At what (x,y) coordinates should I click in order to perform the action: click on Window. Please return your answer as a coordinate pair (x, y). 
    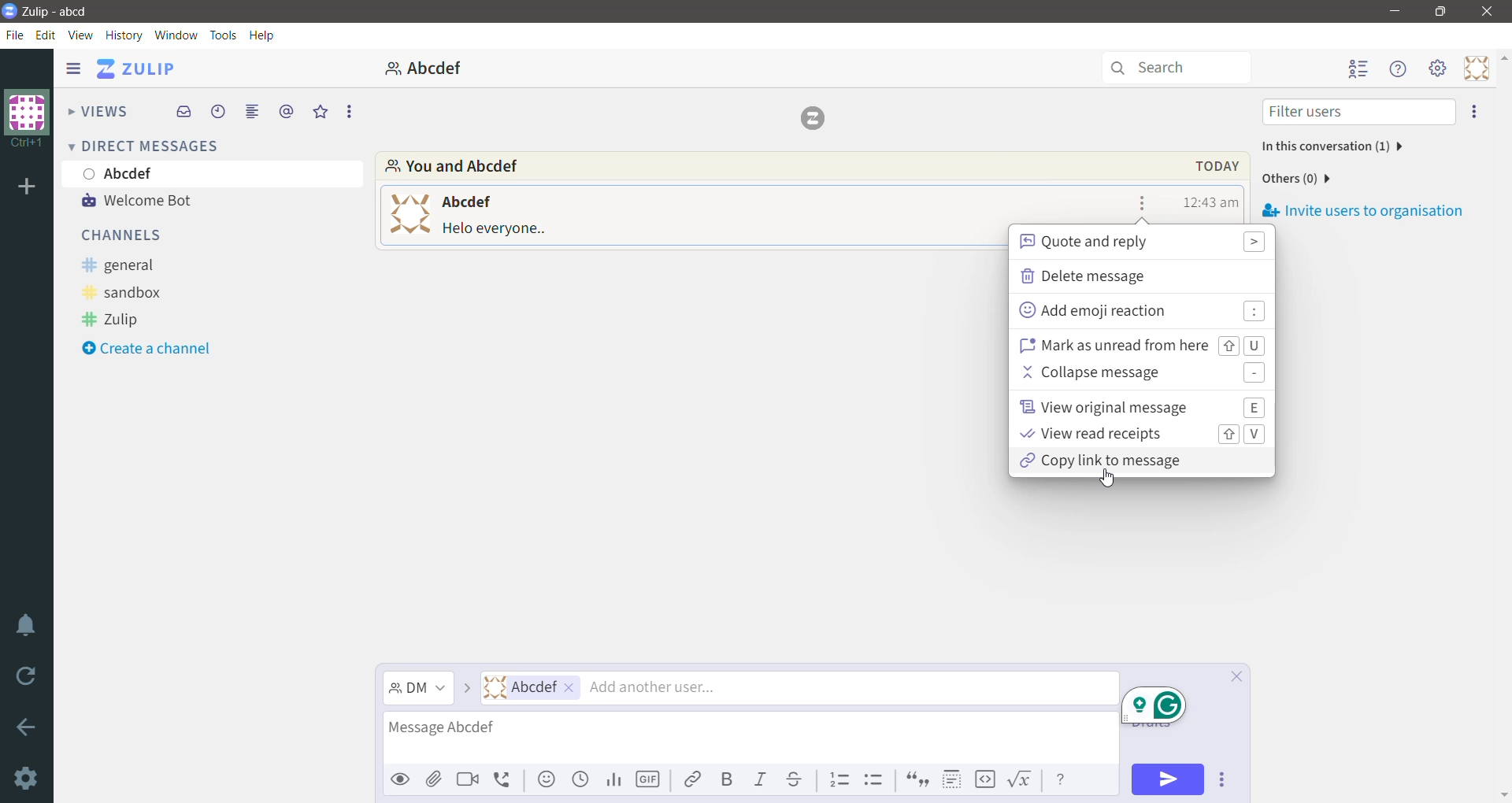
    Looking at the image, I should click on (176, 35).